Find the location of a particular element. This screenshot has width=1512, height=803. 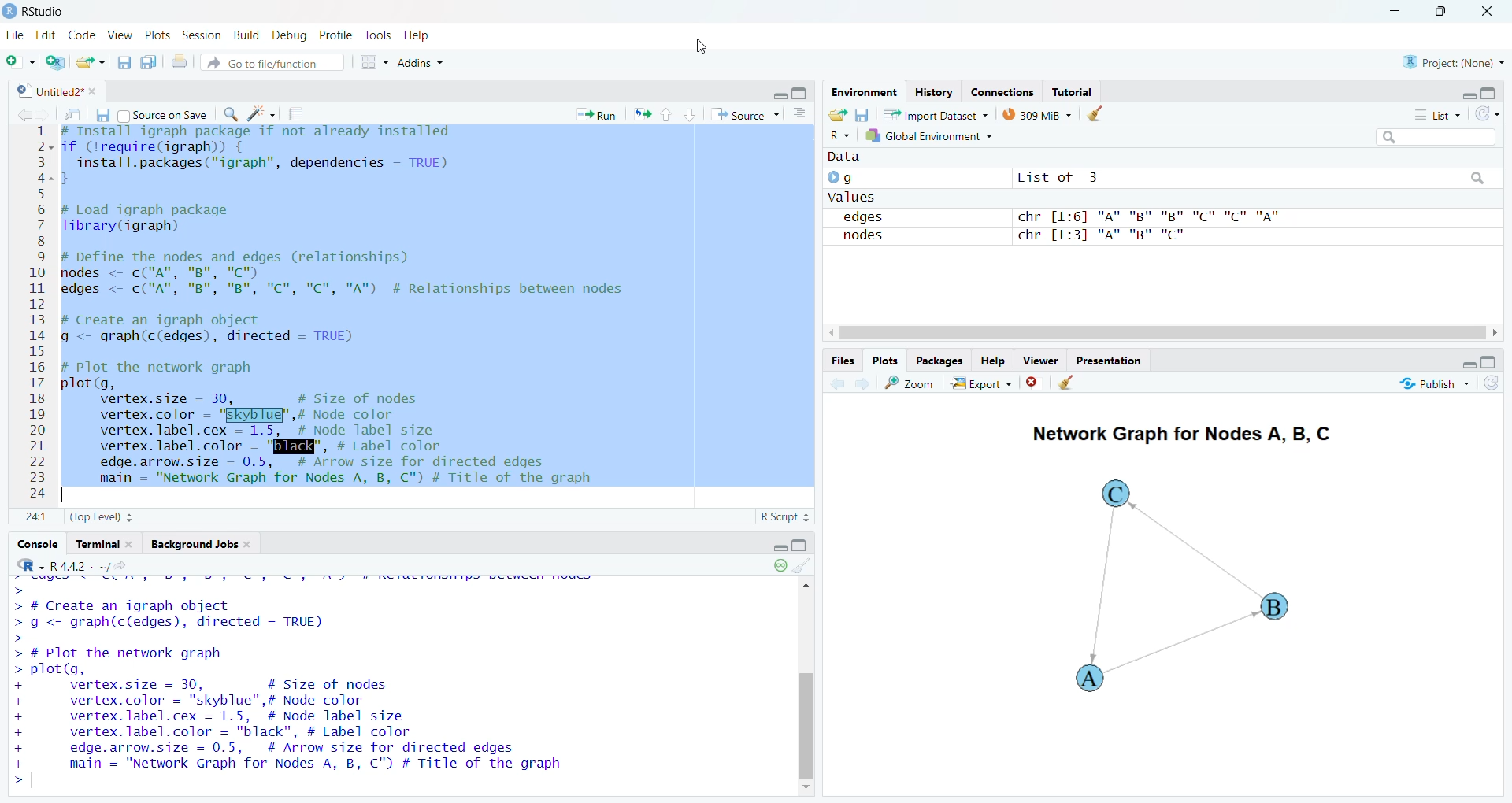

tl
> # Create an igraph object

> g <- graph(c(edges), directed = TRUE)

>

> # Plot the network graph

> plot(g,

+ vertex.size = 30, # Size of nodes

+ vertex.color = "skyblue”,# Node color

+ vertex.label.cex = 1.5, # Node label size

+ vertex. label.color = "black", # Label color

+ edge.arrow.size = 0.5, # Arrow size for directed edges

+ main = "Network Graph for Nodes A, B, C") # Title of the graph
> is located at coordinates (319, 688).